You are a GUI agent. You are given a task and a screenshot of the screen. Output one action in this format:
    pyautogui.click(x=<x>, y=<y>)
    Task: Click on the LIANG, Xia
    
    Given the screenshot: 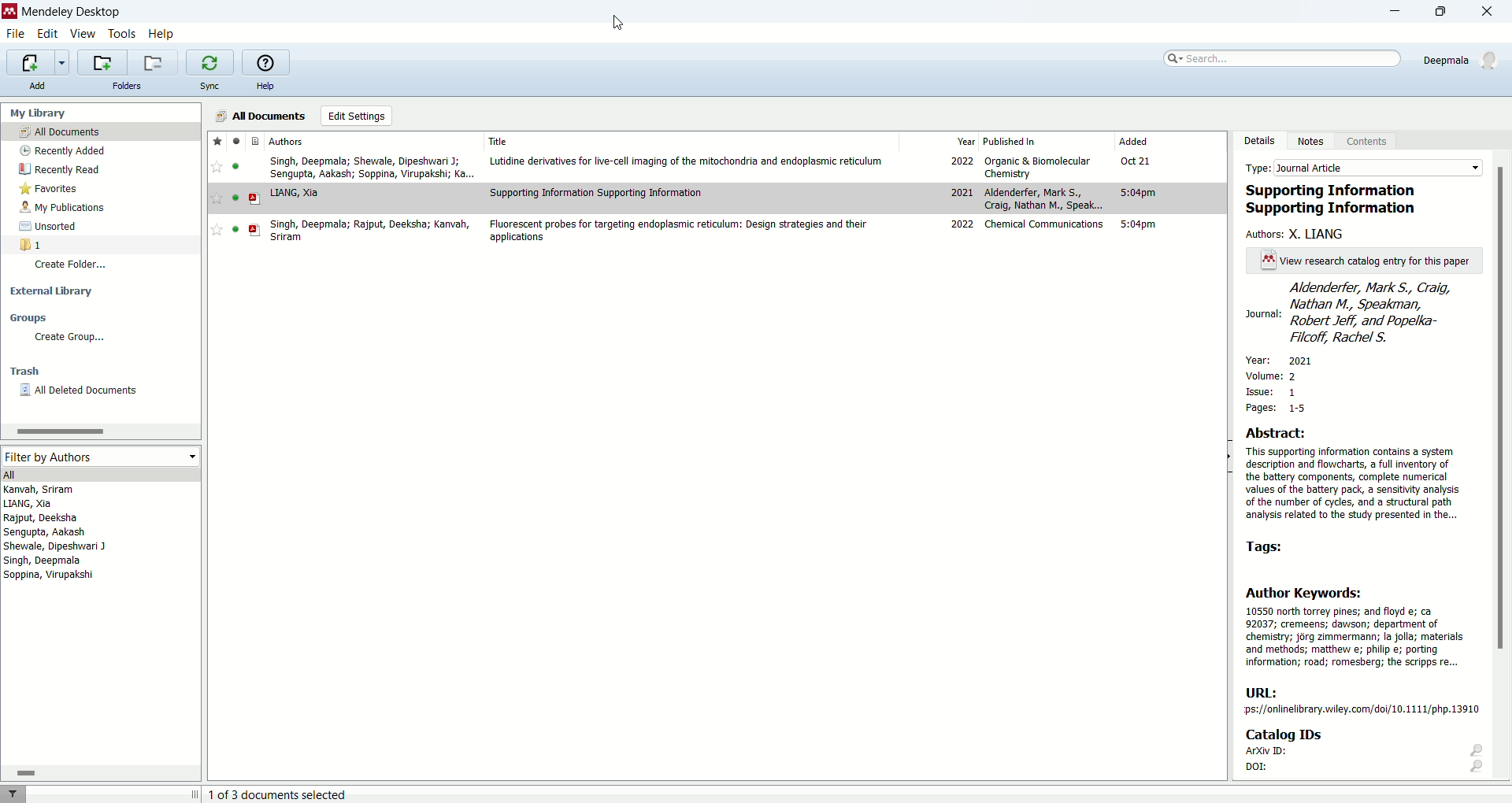 What is the action you would take?
    pyautogui.click(x=295, y=194)
    